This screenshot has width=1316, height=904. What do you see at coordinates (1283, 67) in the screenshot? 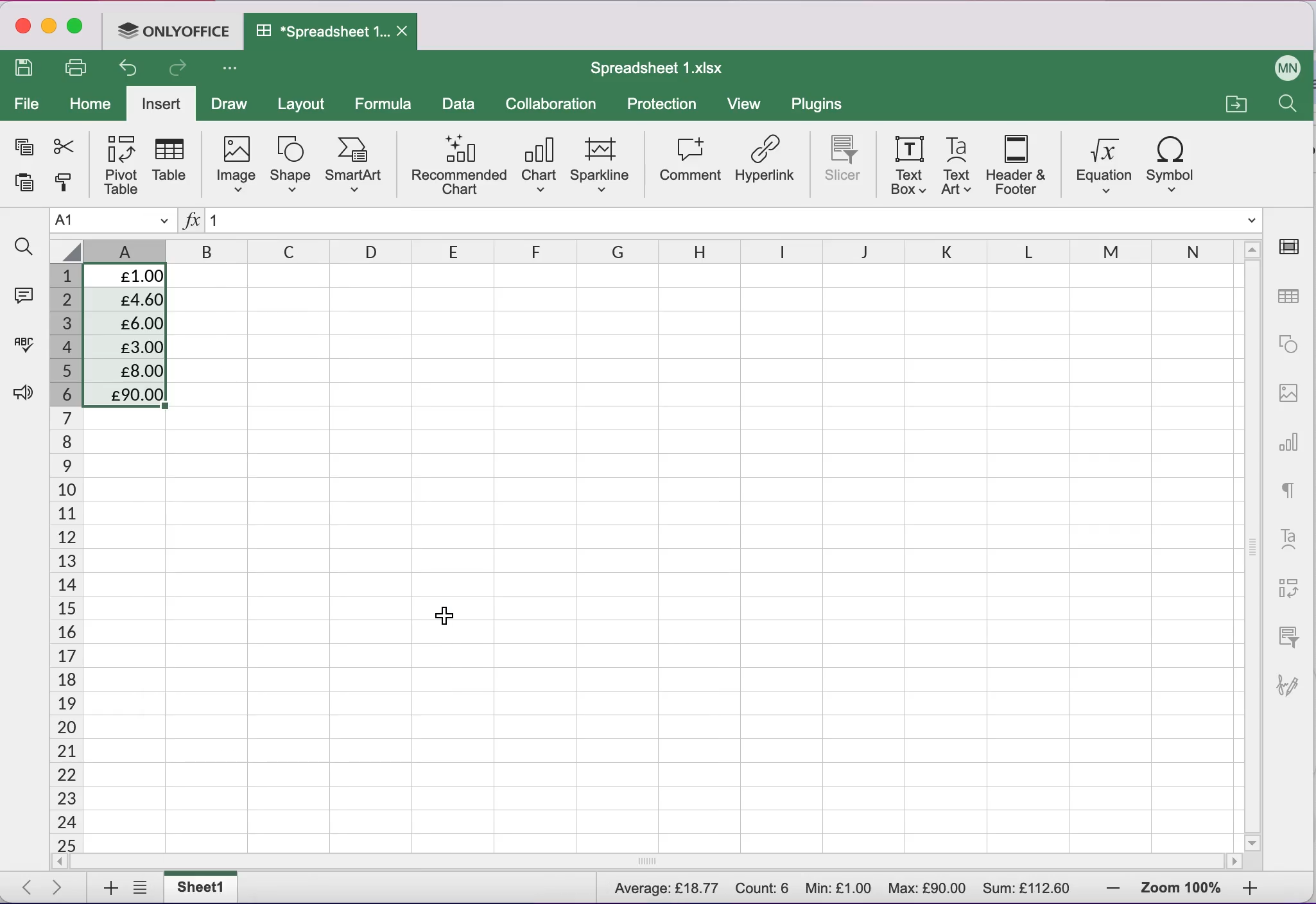
I see `User name` at bounding box center [1283, 67].